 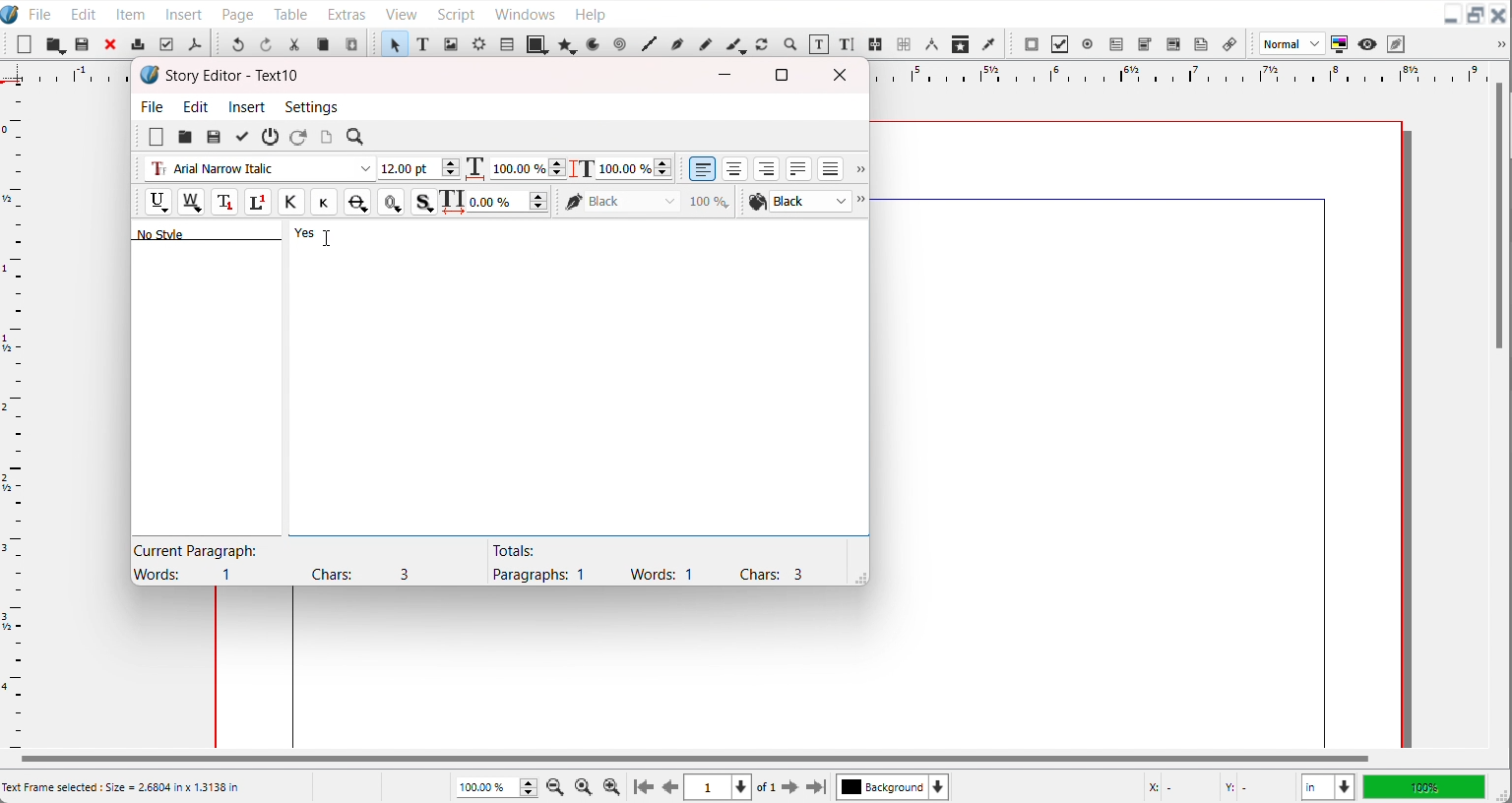 What do you see at coordinates (478, 43) in the screenshot?
I see `Render Frame` at bounding box center [478, 43].